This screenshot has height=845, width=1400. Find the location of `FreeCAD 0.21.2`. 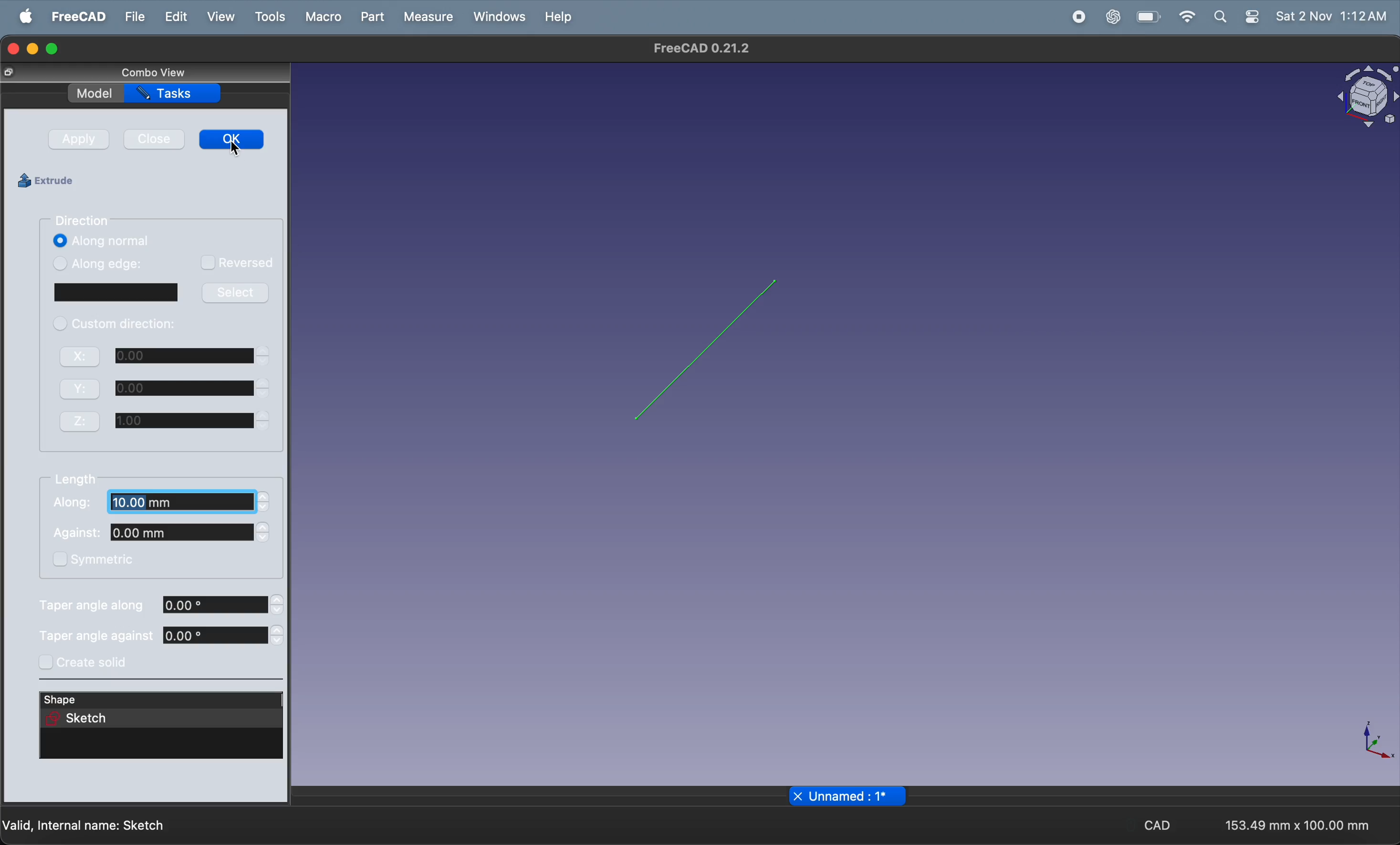

FreeCAD 0.21.2 is located at coordinates (707, 50).